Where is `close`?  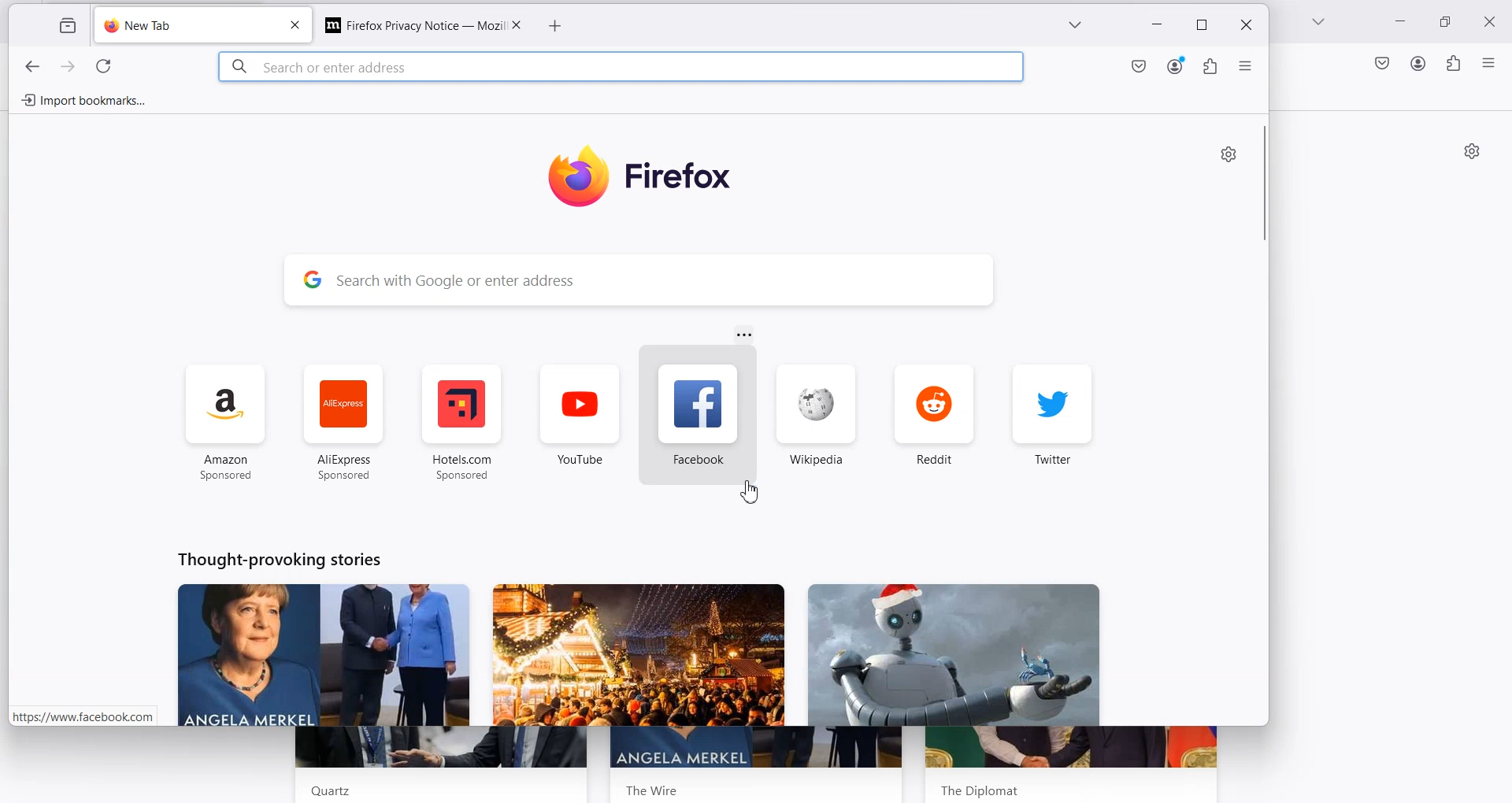
close is located at coordinates (294, 27).